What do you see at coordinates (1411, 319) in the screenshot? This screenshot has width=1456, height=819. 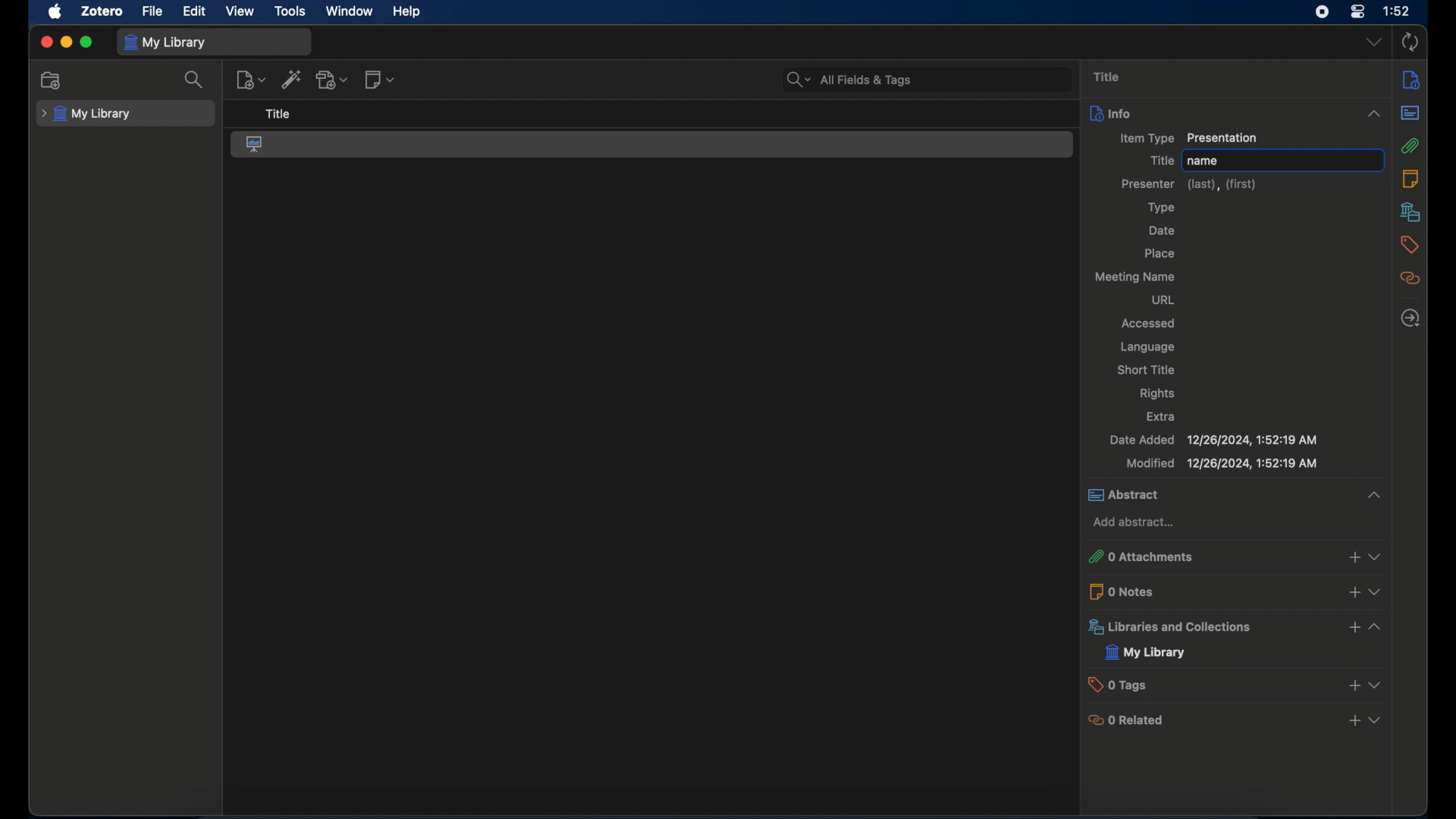 I see `locate` at bounding box center [1411, 319].